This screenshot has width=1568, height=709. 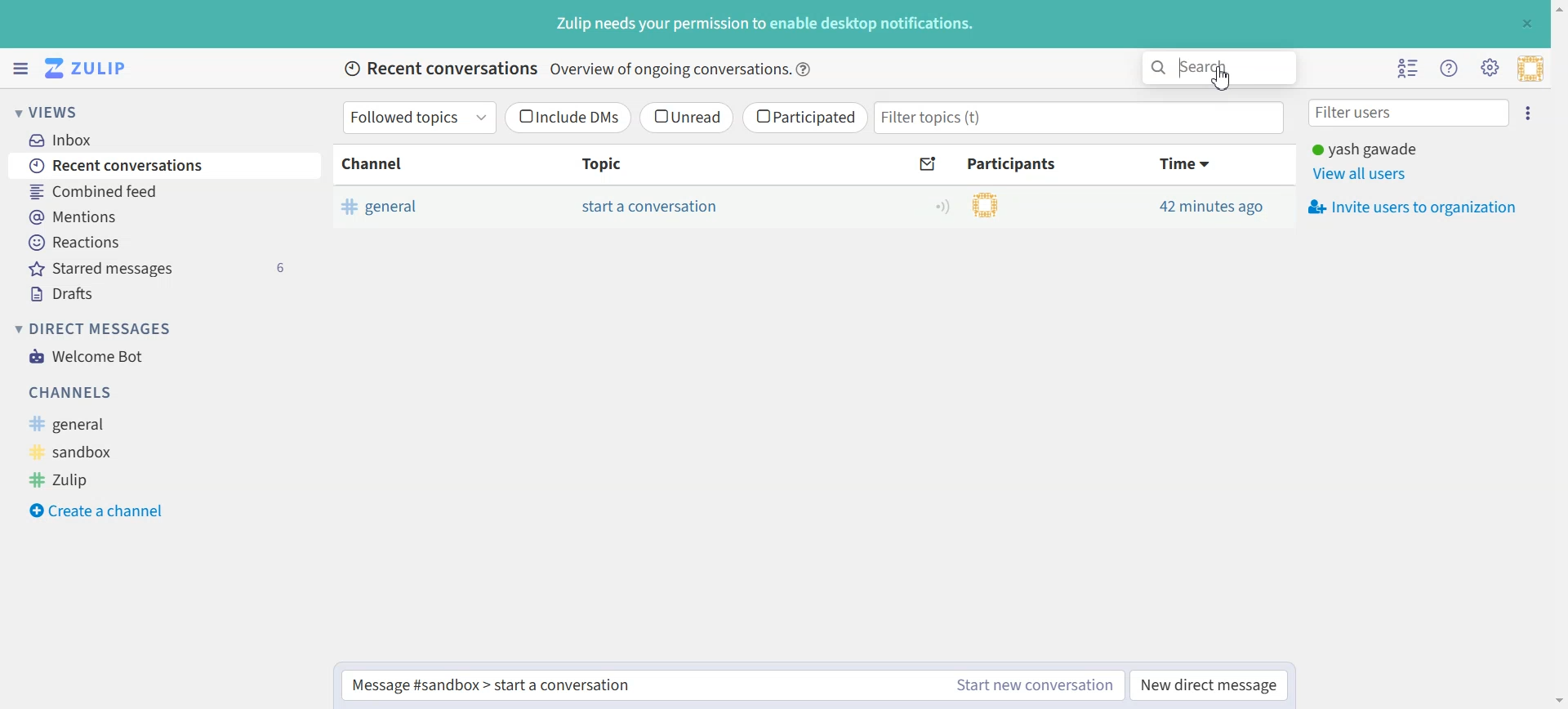 I want to click on Go to Home View, so click(x=92, y=69).